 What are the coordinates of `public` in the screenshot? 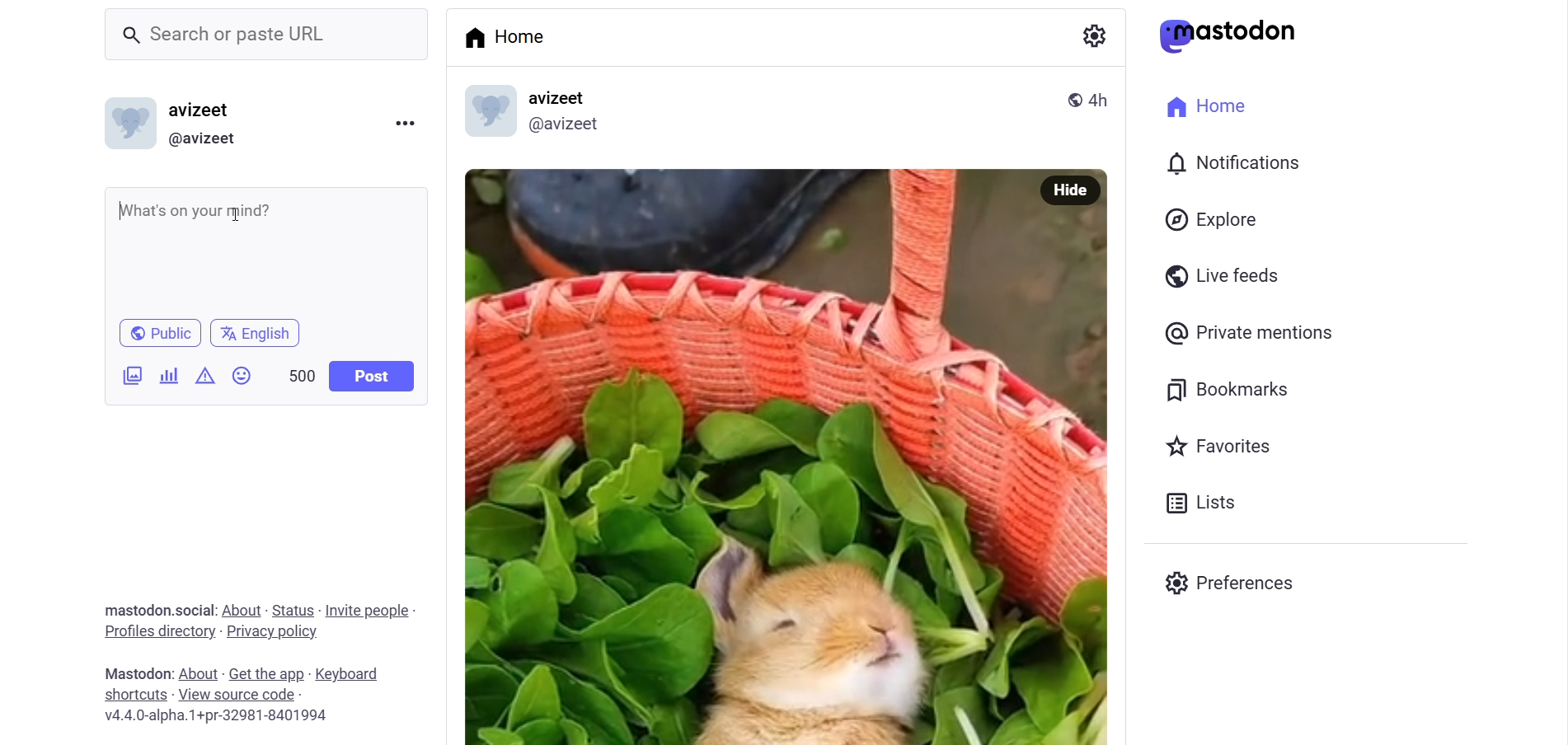 It's located at (1074, 100).